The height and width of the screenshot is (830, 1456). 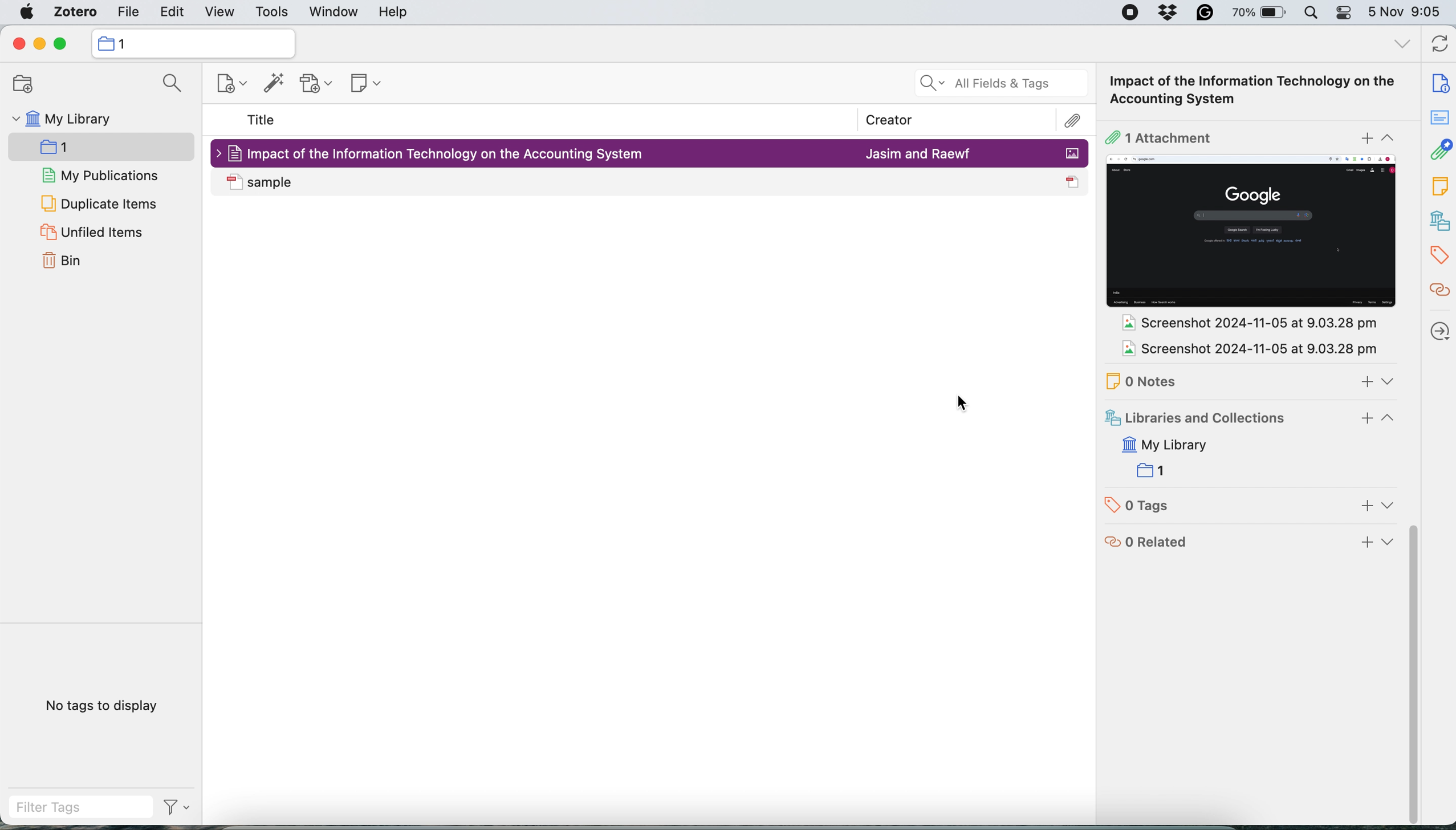 I want to click on my library, so click(x=60, y=121).